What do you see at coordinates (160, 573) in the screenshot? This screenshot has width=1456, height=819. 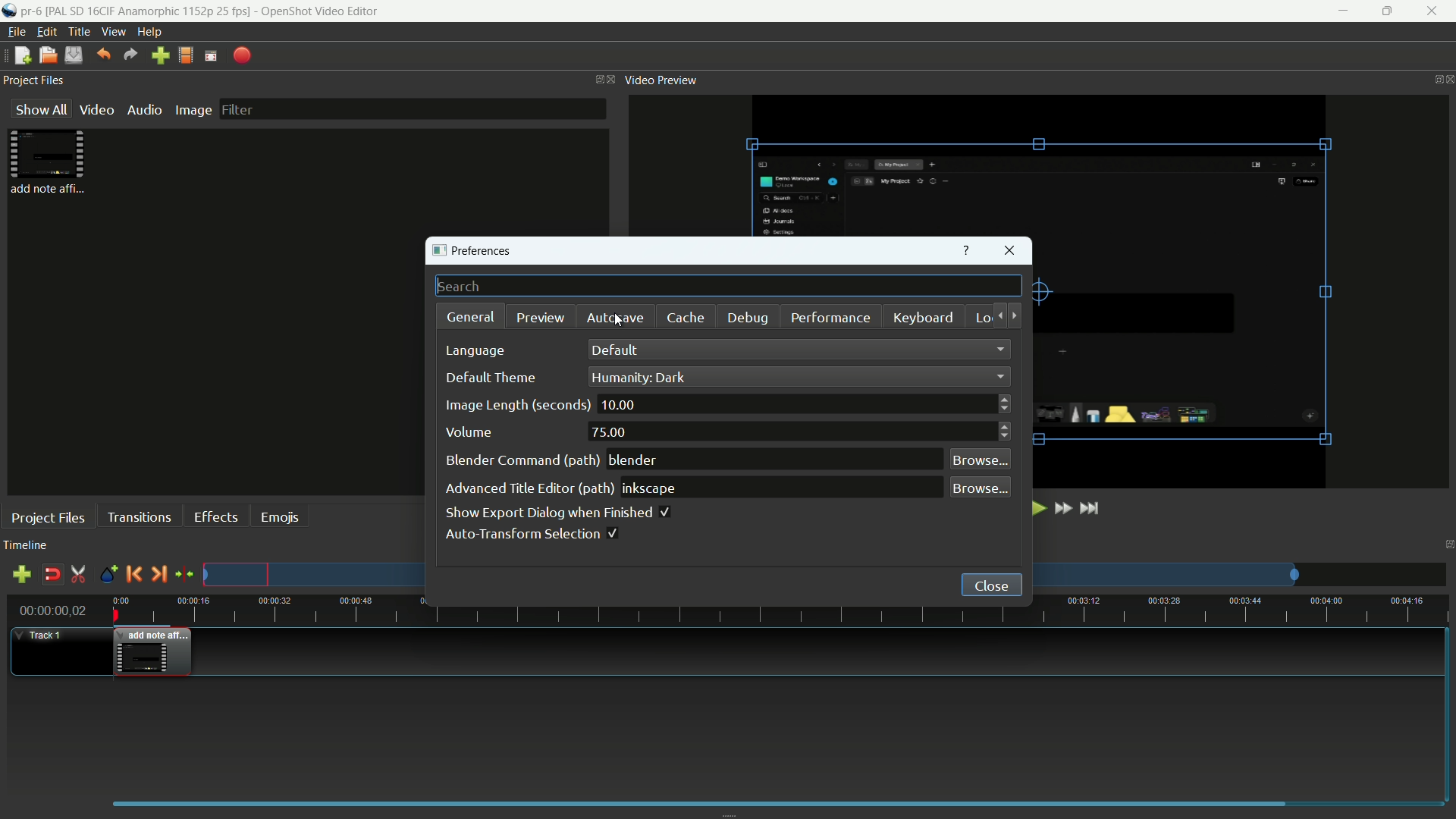 I see `next marker` at bounding box center [160, 573].